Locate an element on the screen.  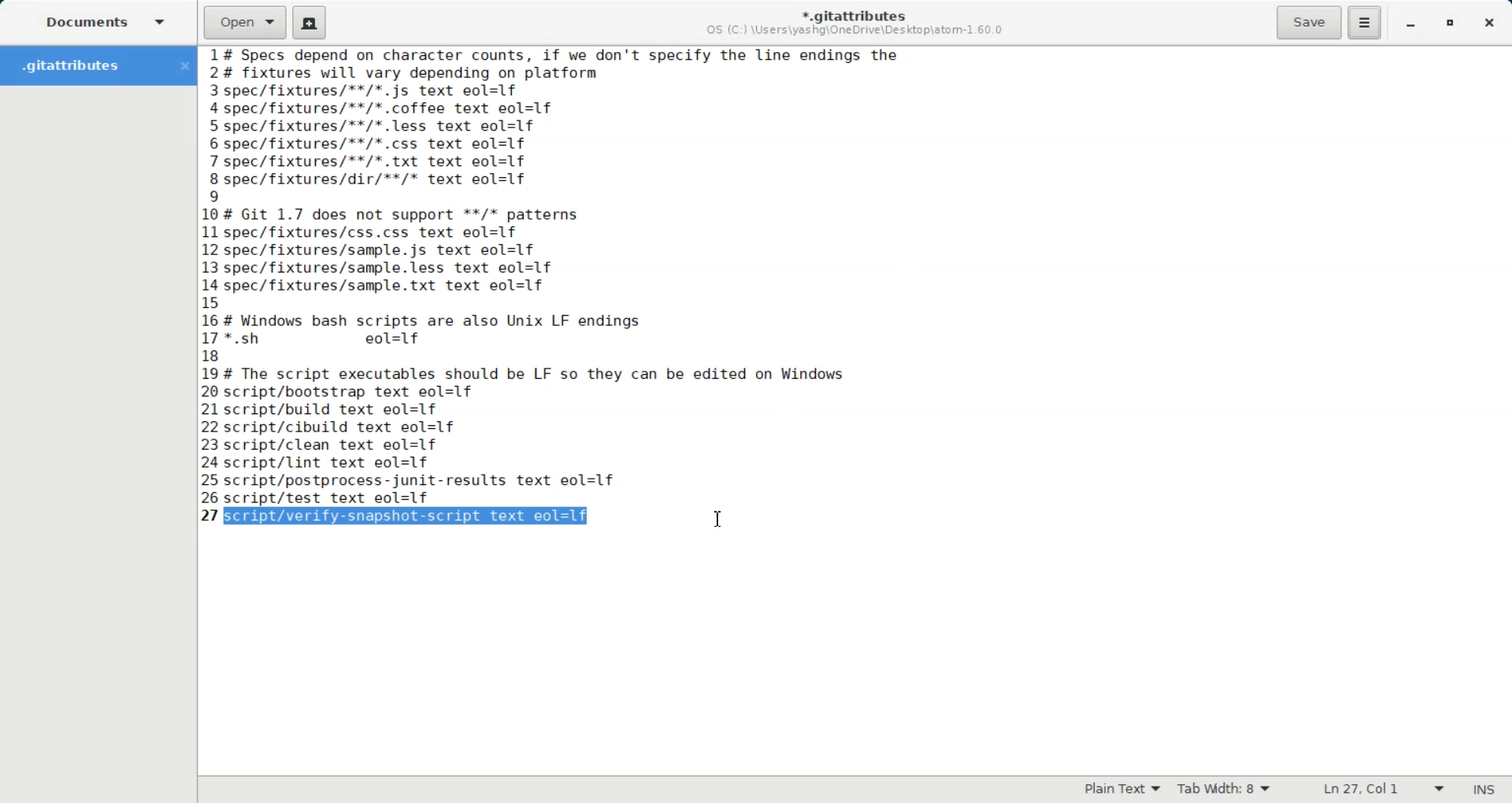
Save is located at coordinates (1308, 23).